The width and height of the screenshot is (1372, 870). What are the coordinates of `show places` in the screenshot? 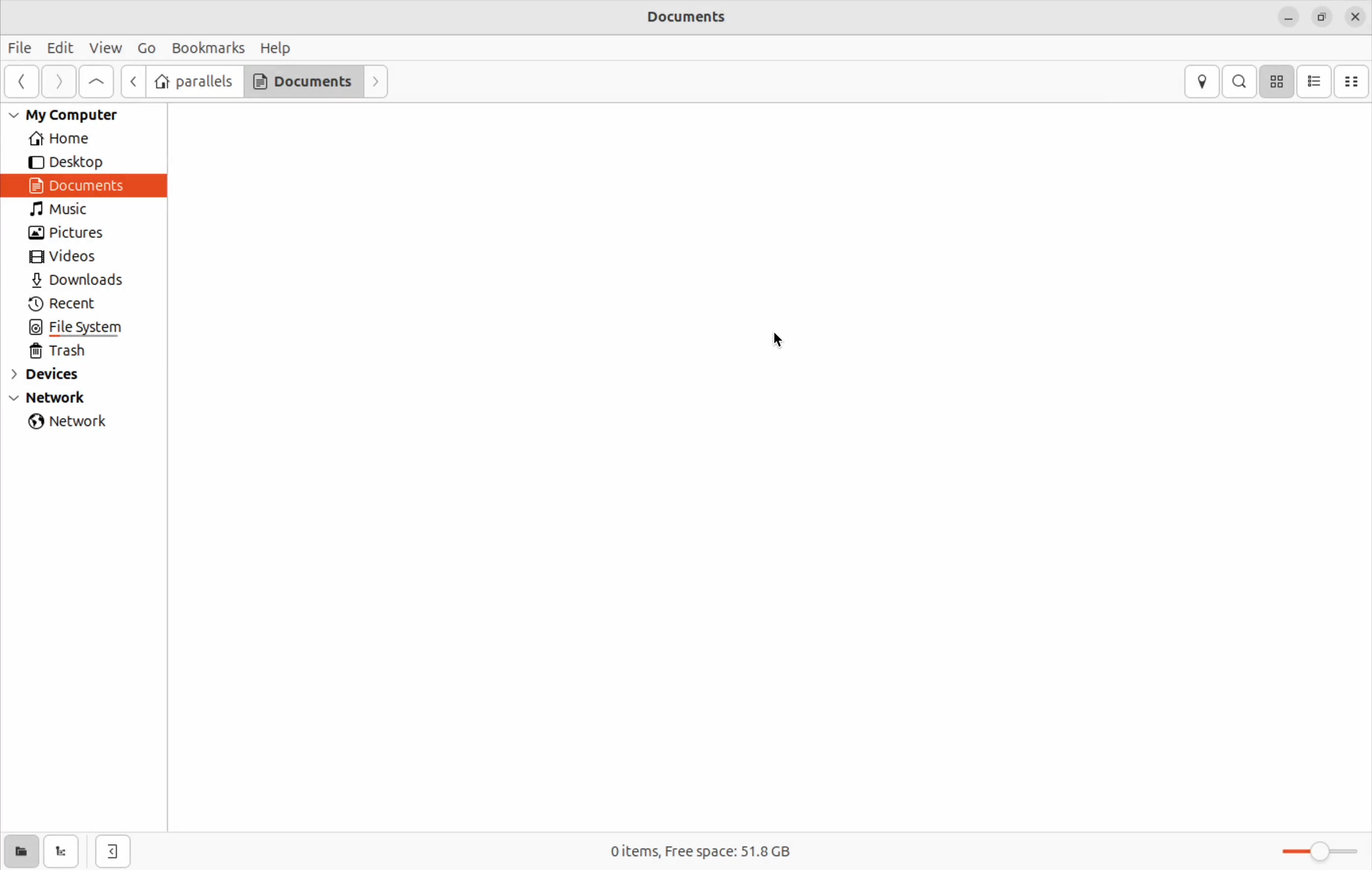 It's located at (20, 851).